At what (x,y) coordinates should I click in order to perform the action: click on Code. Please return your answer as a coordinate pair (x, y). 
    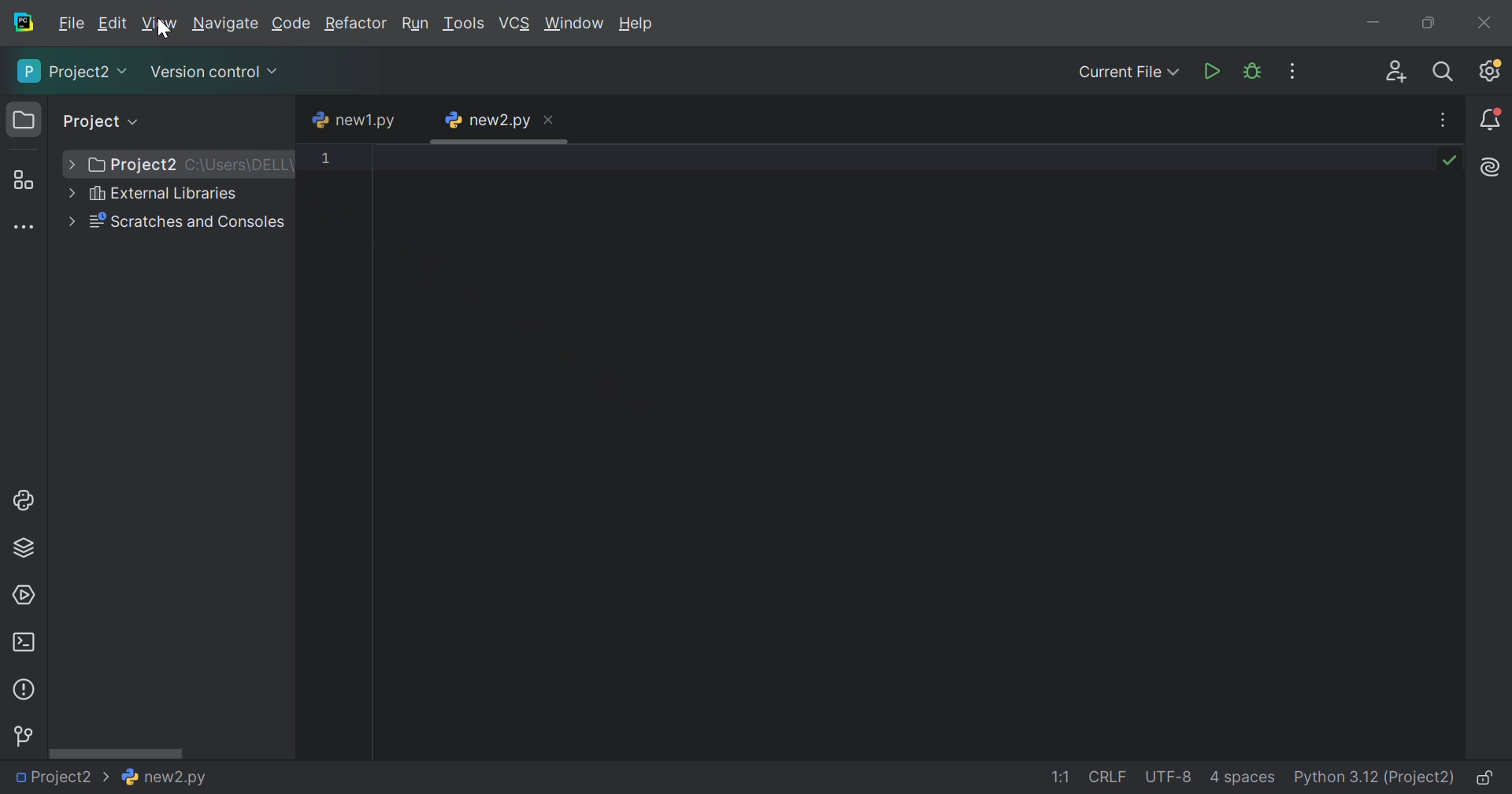
    Looking at the image, I should click on (292, 24).